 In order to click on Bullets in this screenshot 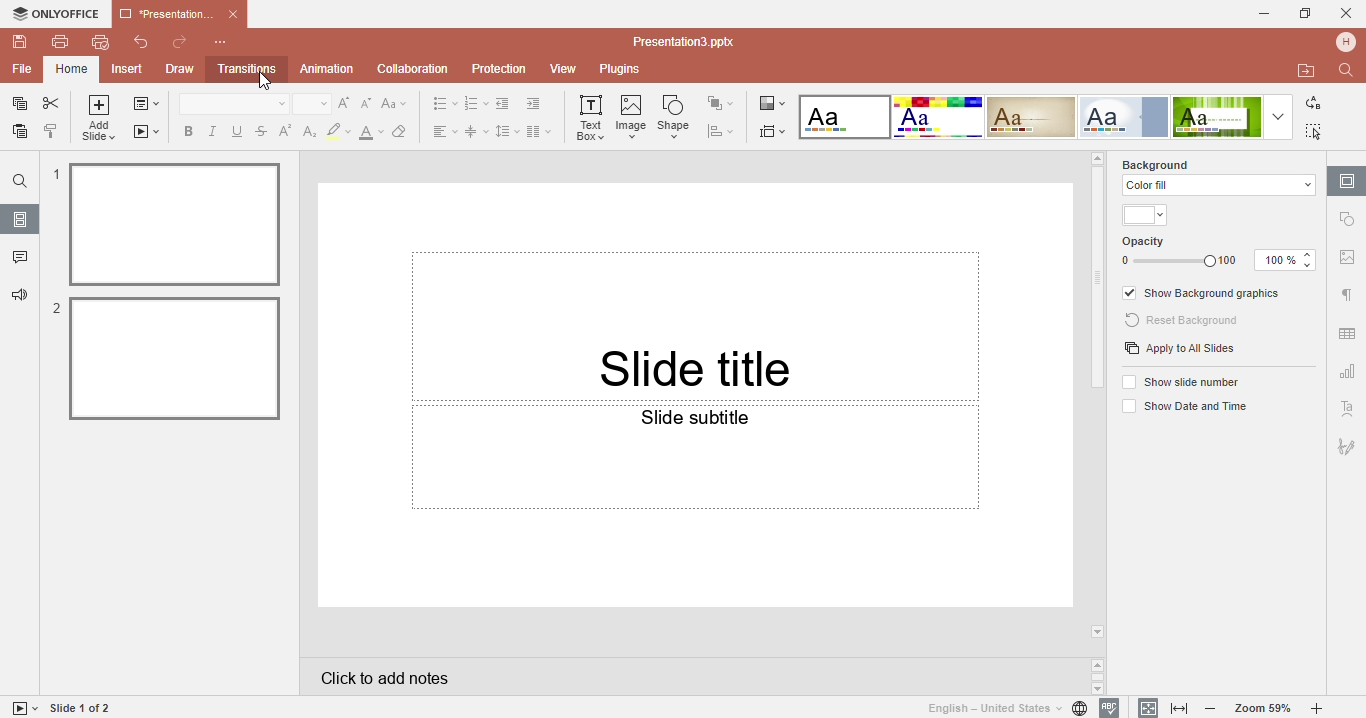, I will do `click(444, 104)`.